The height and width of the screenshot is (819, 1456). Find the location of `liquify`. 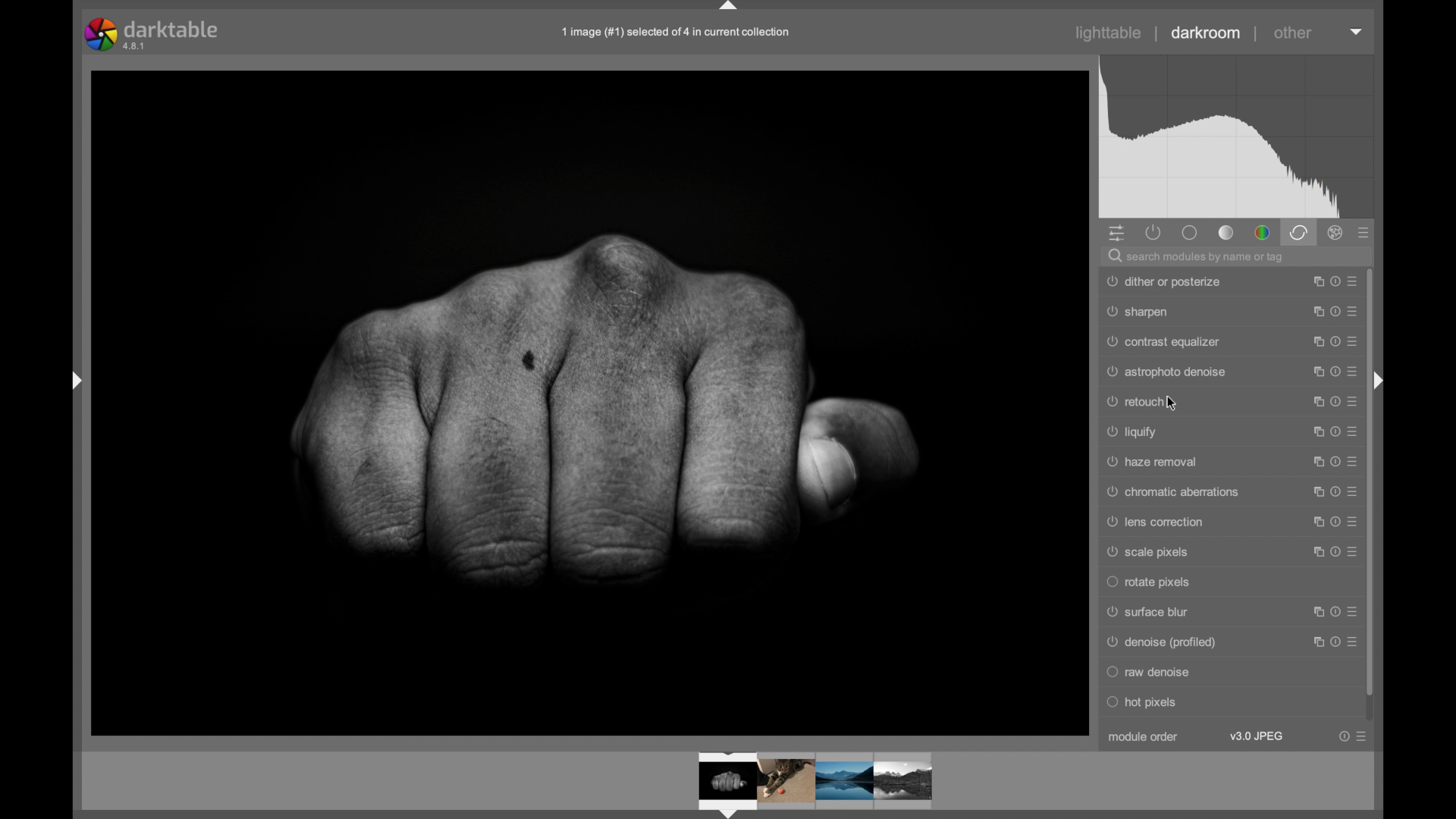

liquify is located at coordinates (1131, 432).